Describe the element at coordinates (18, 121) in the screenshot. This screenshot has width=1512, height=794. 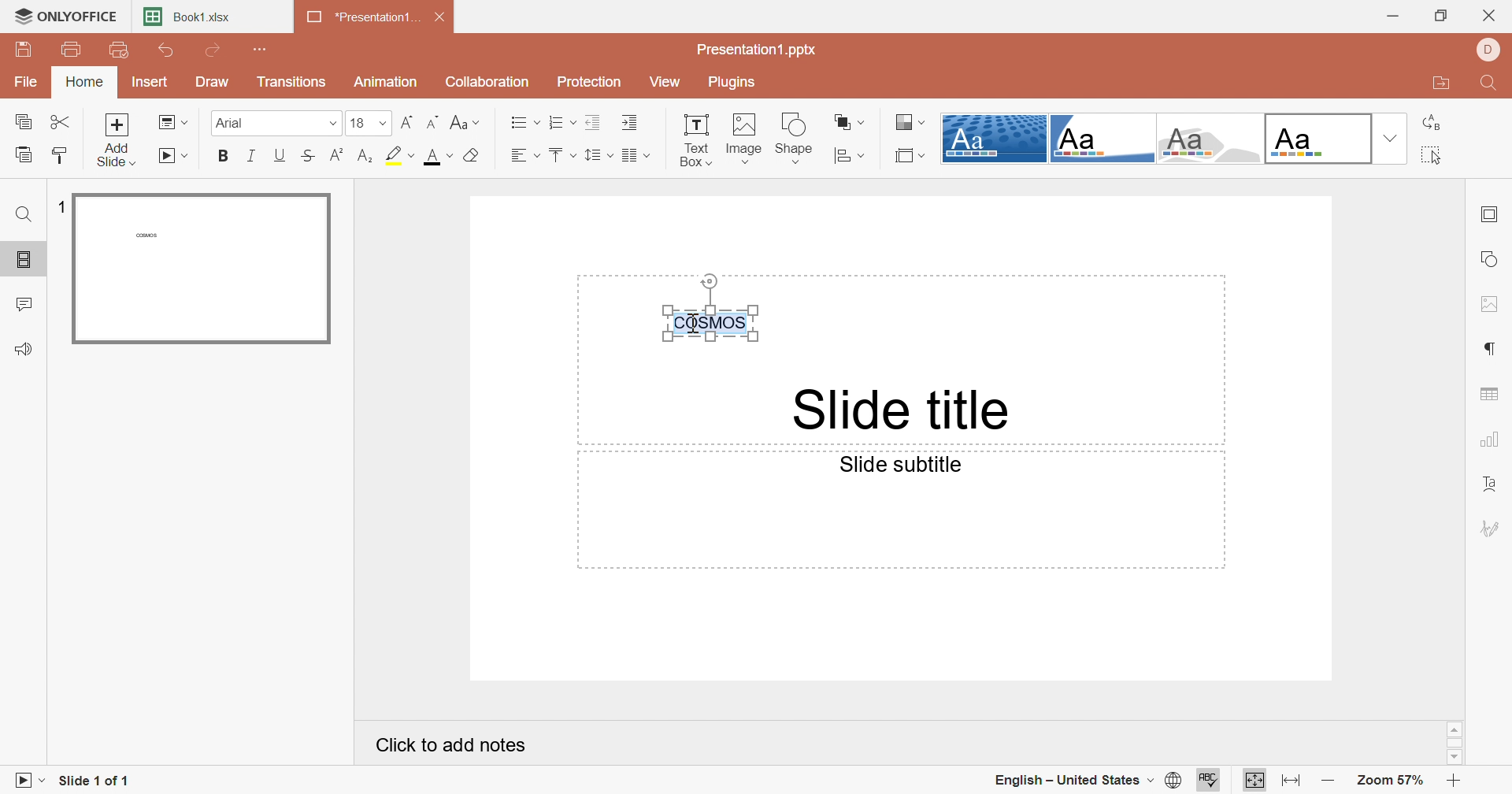
I see `Copy` at that location.